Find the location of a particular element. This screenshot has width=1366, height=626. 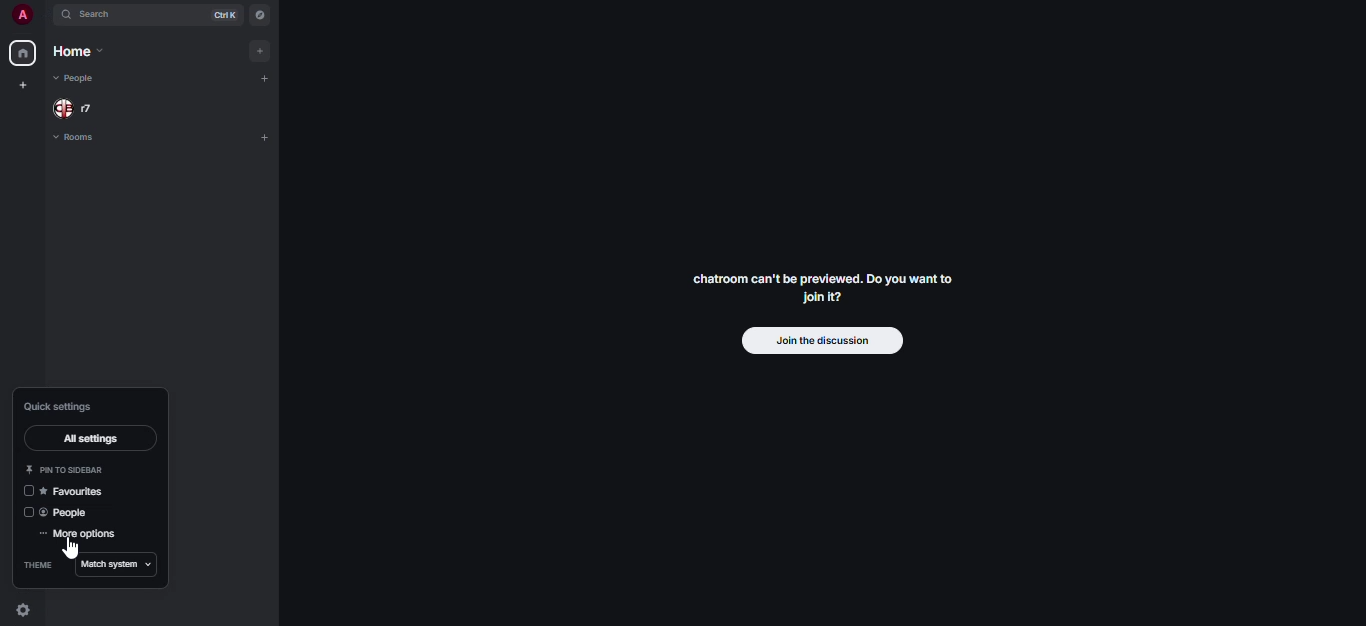

people is located at coordinates (69, 512).